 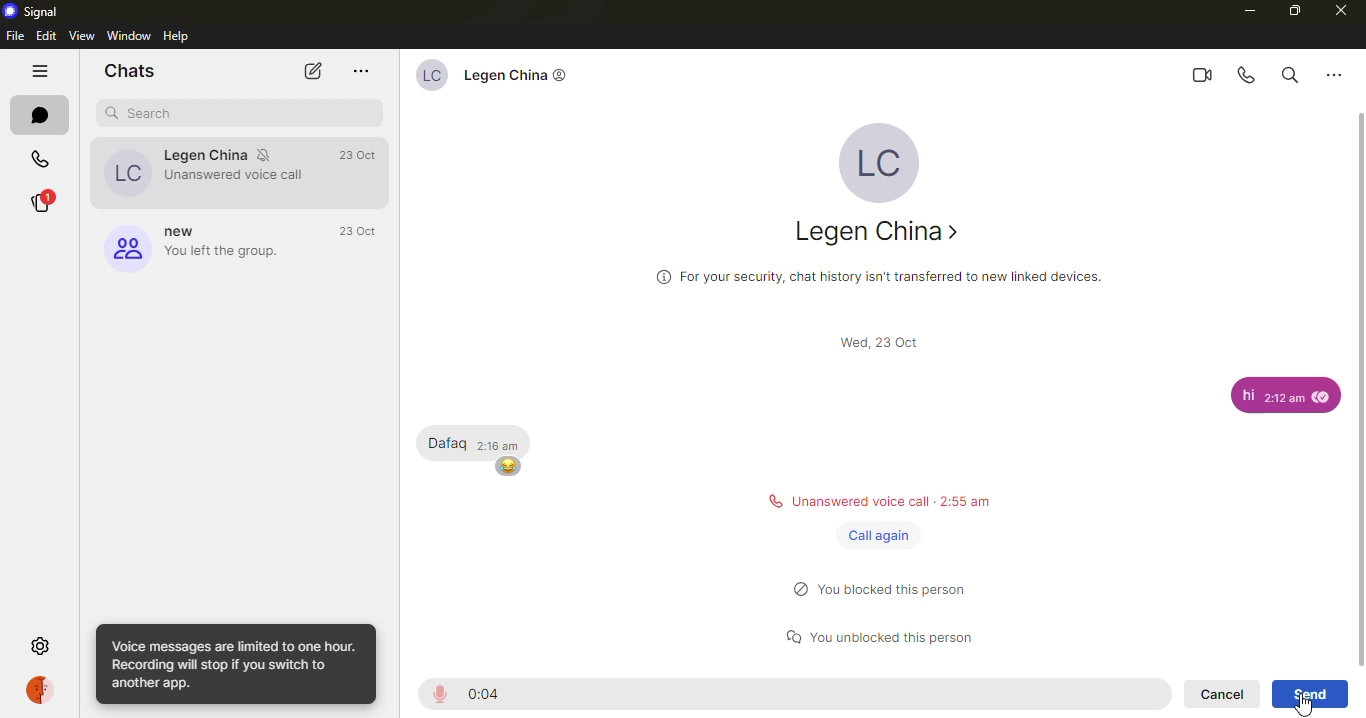 What do you see at coordinates (125, 246) in the screenshot?
I see `group logo` at bounding box center [125, 246].